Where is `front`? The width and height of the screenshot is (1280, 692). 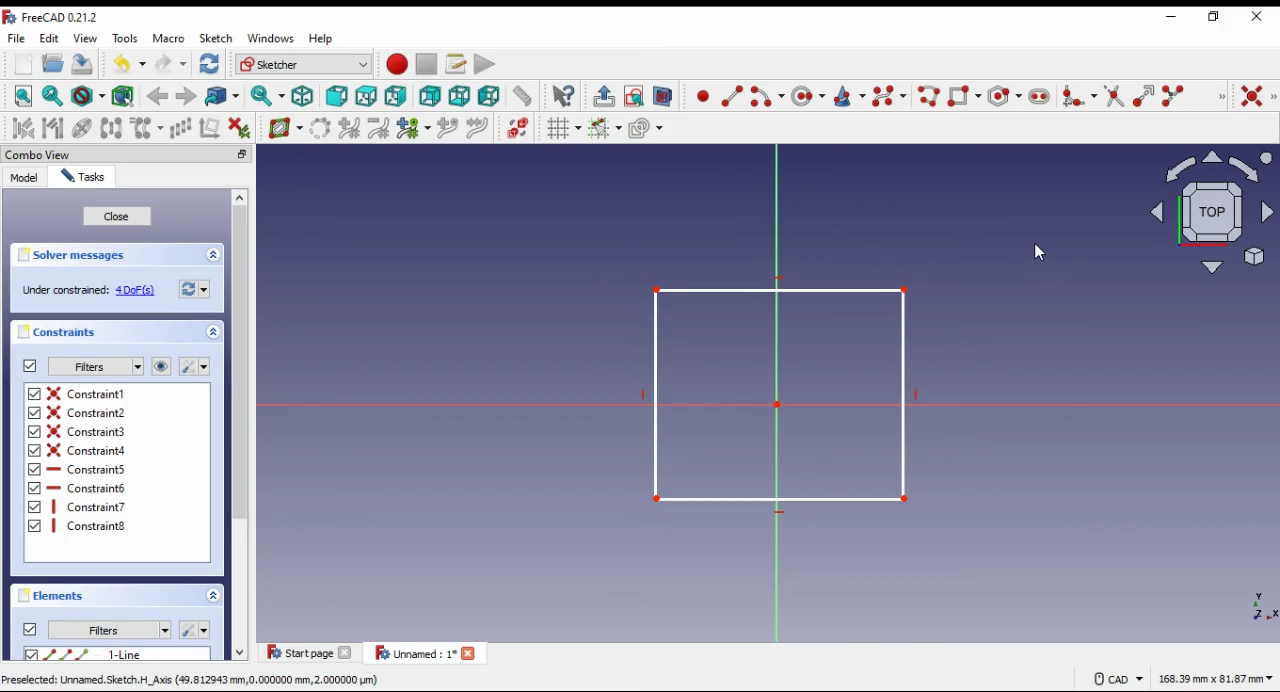
front is located at coordinates (336, 96).